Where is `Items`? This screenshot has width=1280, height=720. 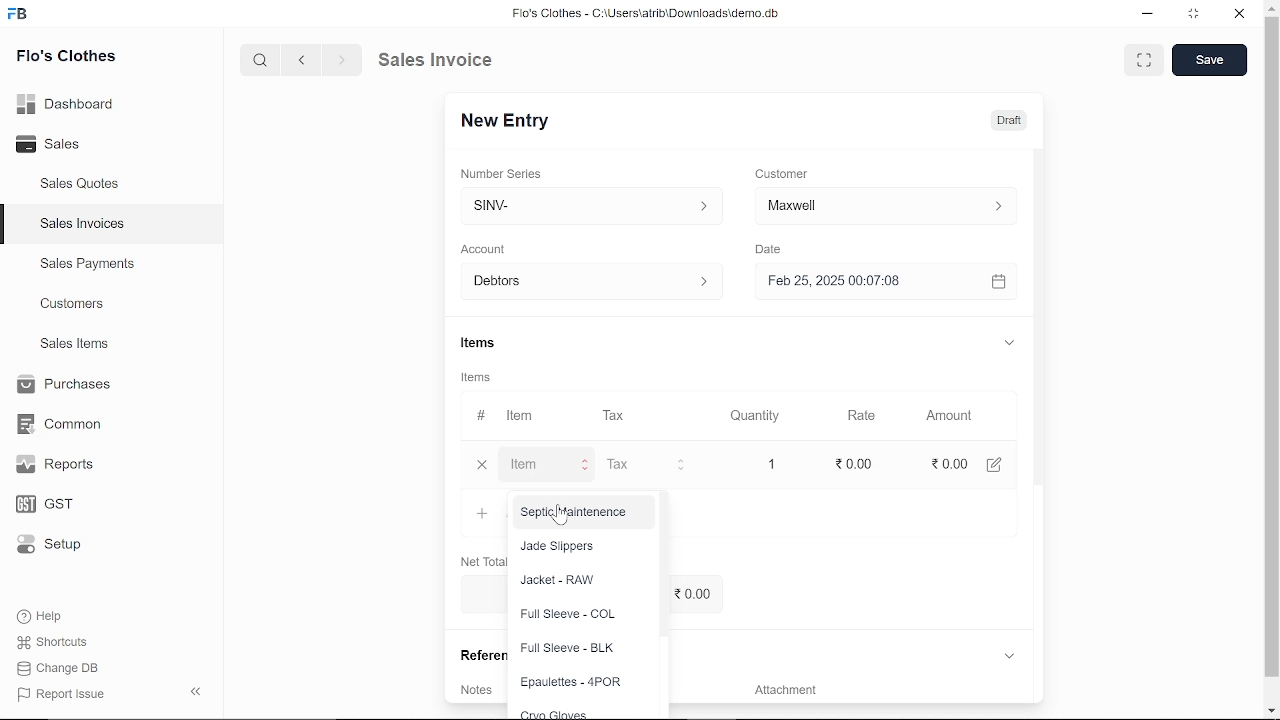
Items is located at coordinates (487, 376).